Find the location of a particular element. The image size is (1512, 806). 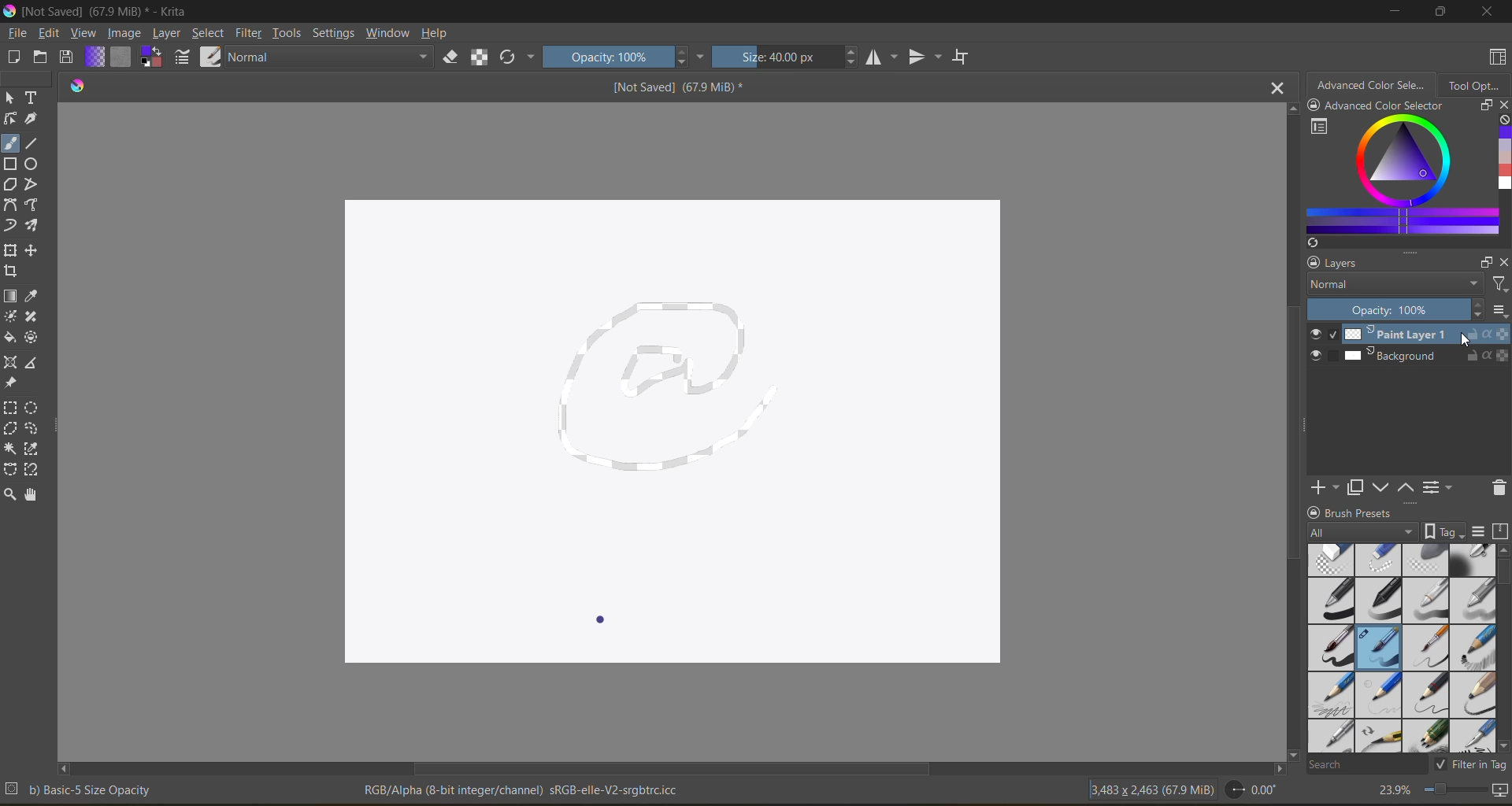

bezier curve selection tool is located at coordinates (10, 469).